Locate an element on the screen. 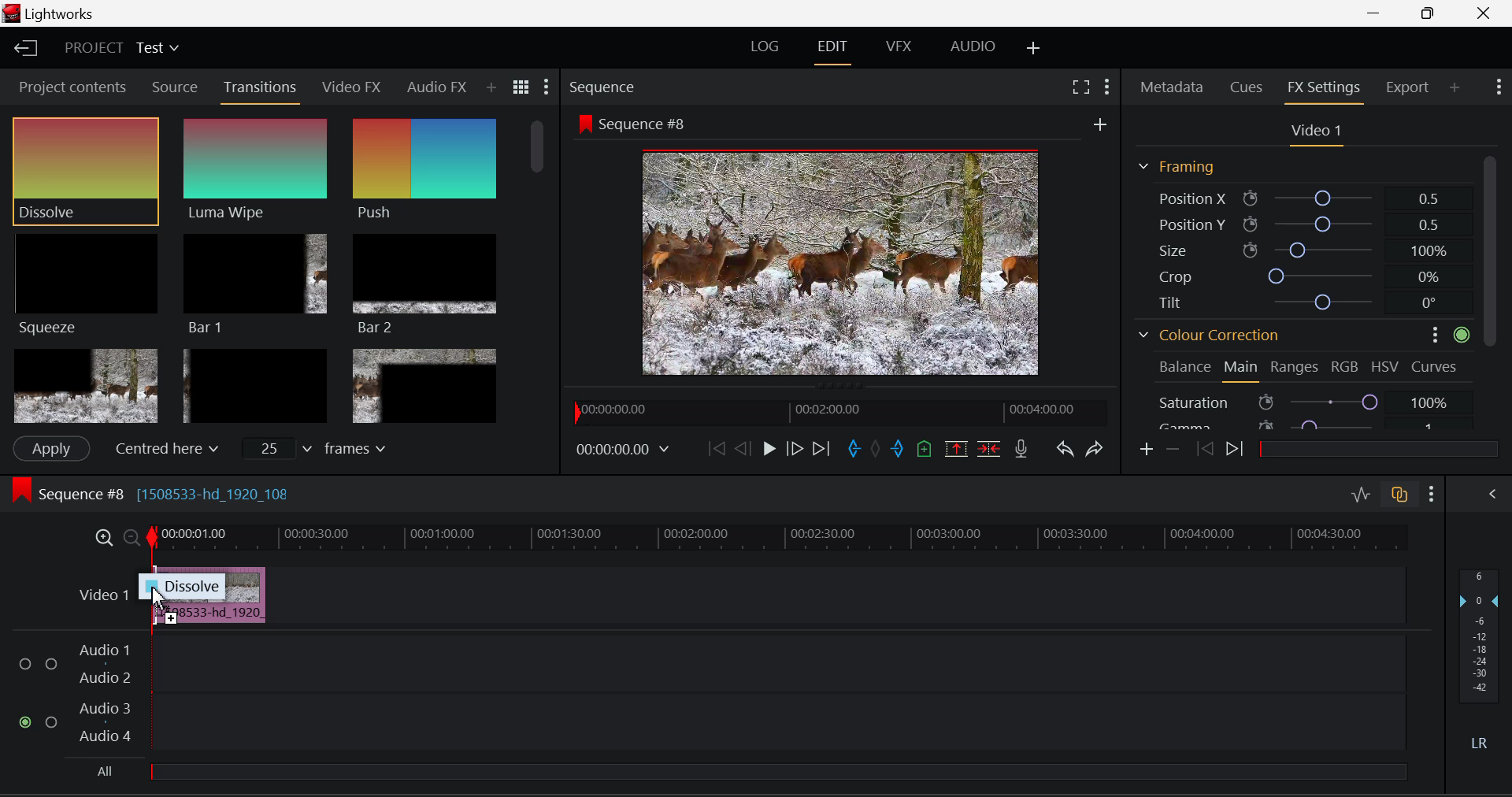 This screenshot has height=797, width=1512. Next Panel is located at coordinates (448, 86).